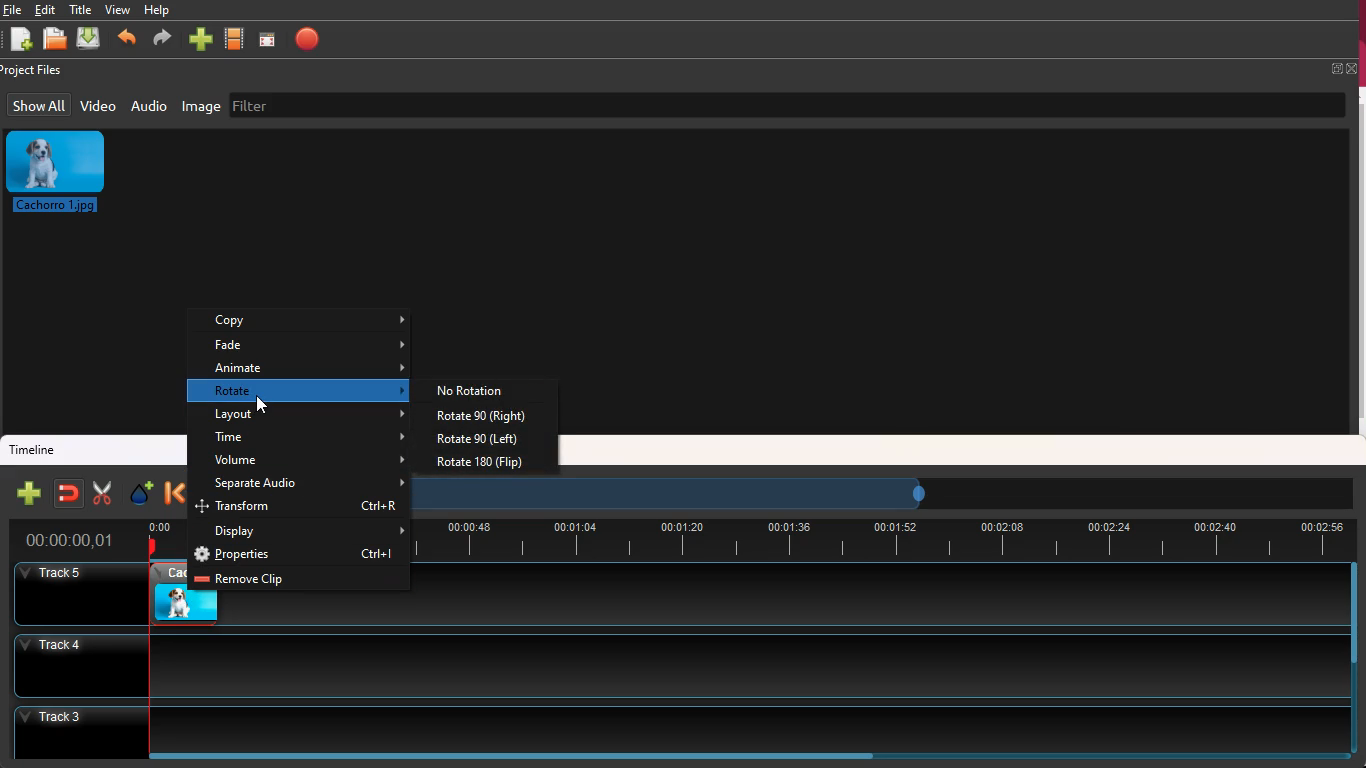 This screenshot has width=1366, height=768. What do you see at coordinates (80, 595) in the screenshot?
I see `` at bounding box center [80, 595].